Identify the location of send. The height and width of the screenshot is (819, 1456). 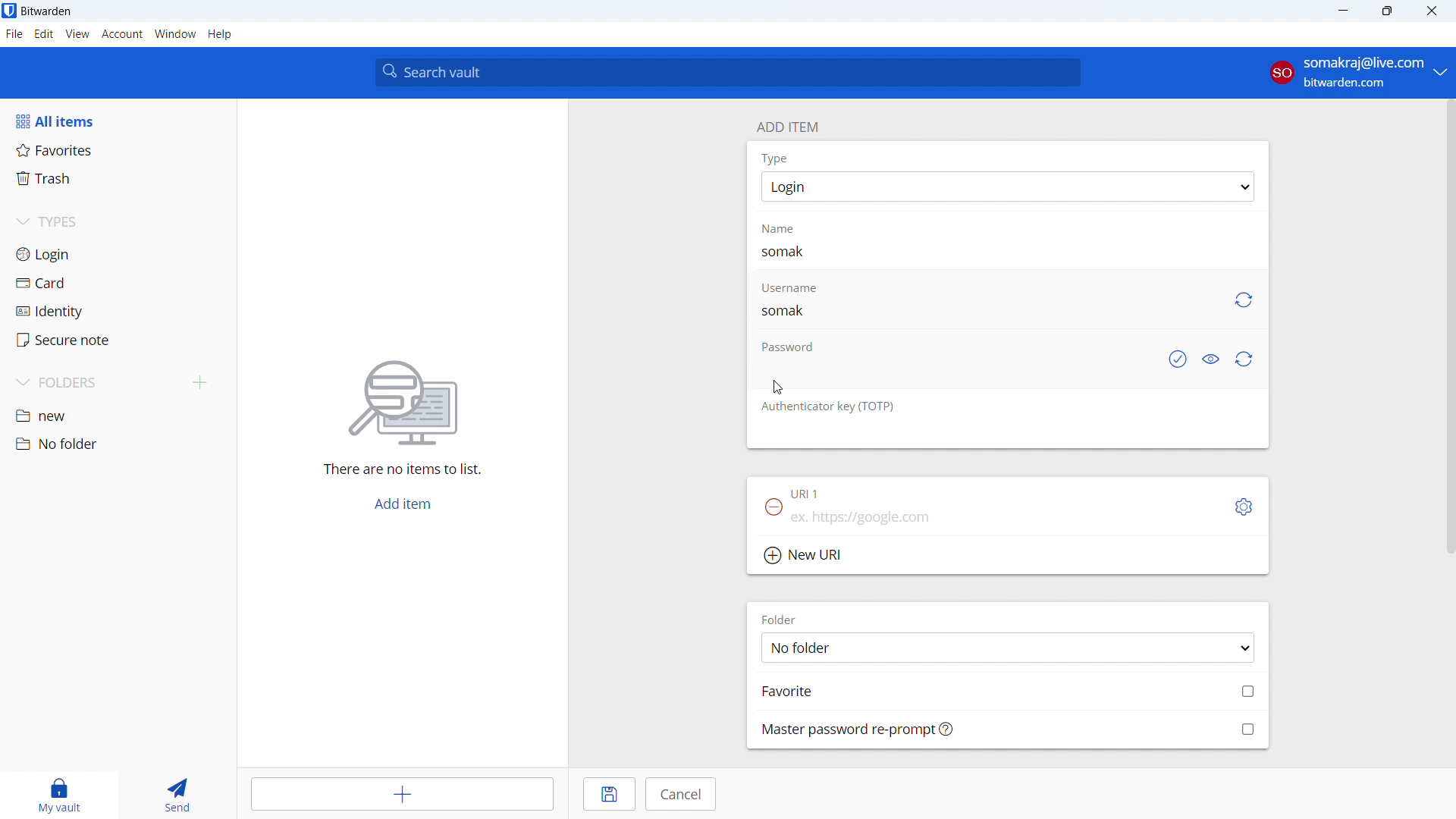
(175, 795).